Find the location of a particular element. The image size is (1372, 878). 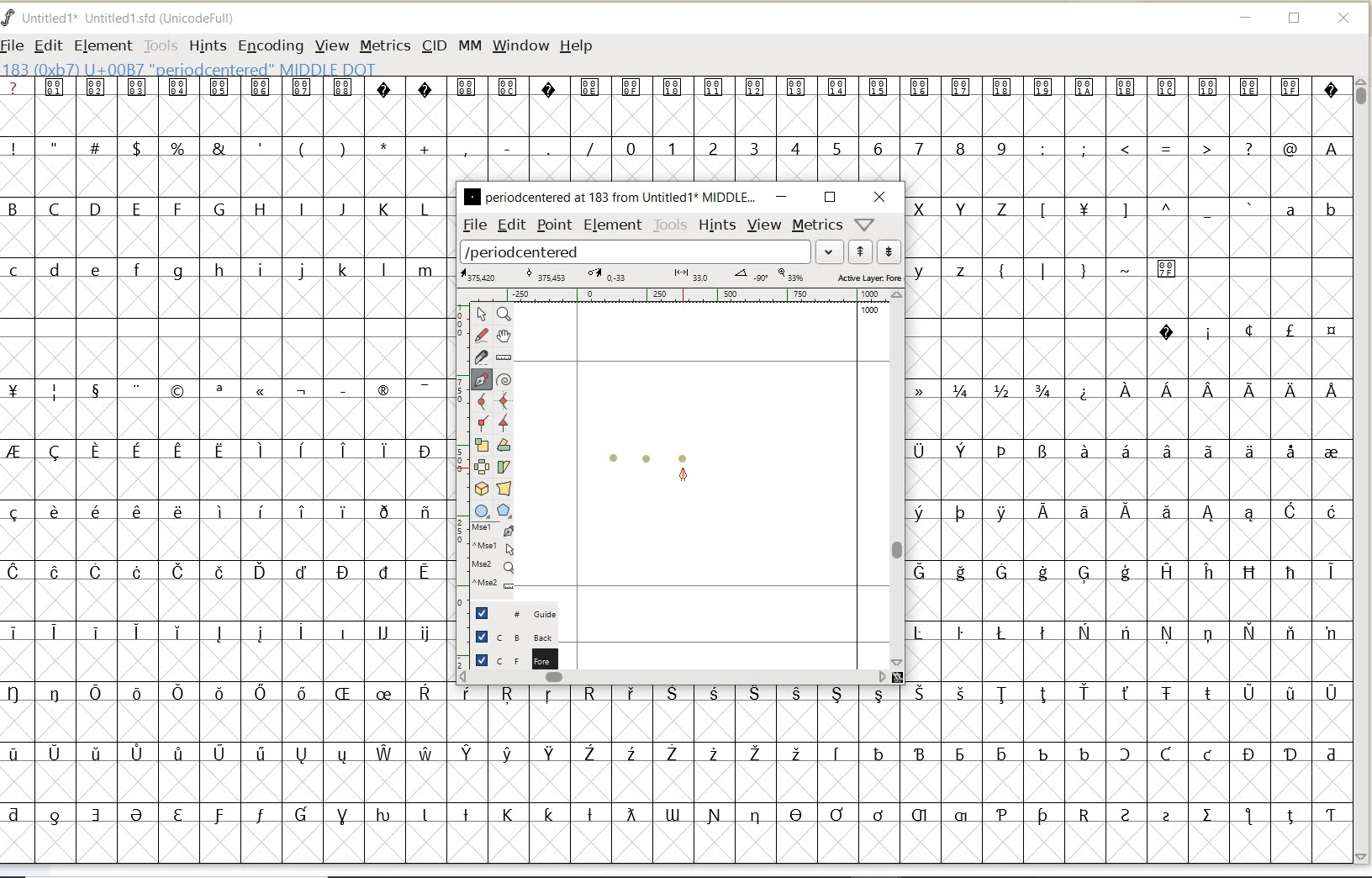

point is located at coordinates (554, 226).